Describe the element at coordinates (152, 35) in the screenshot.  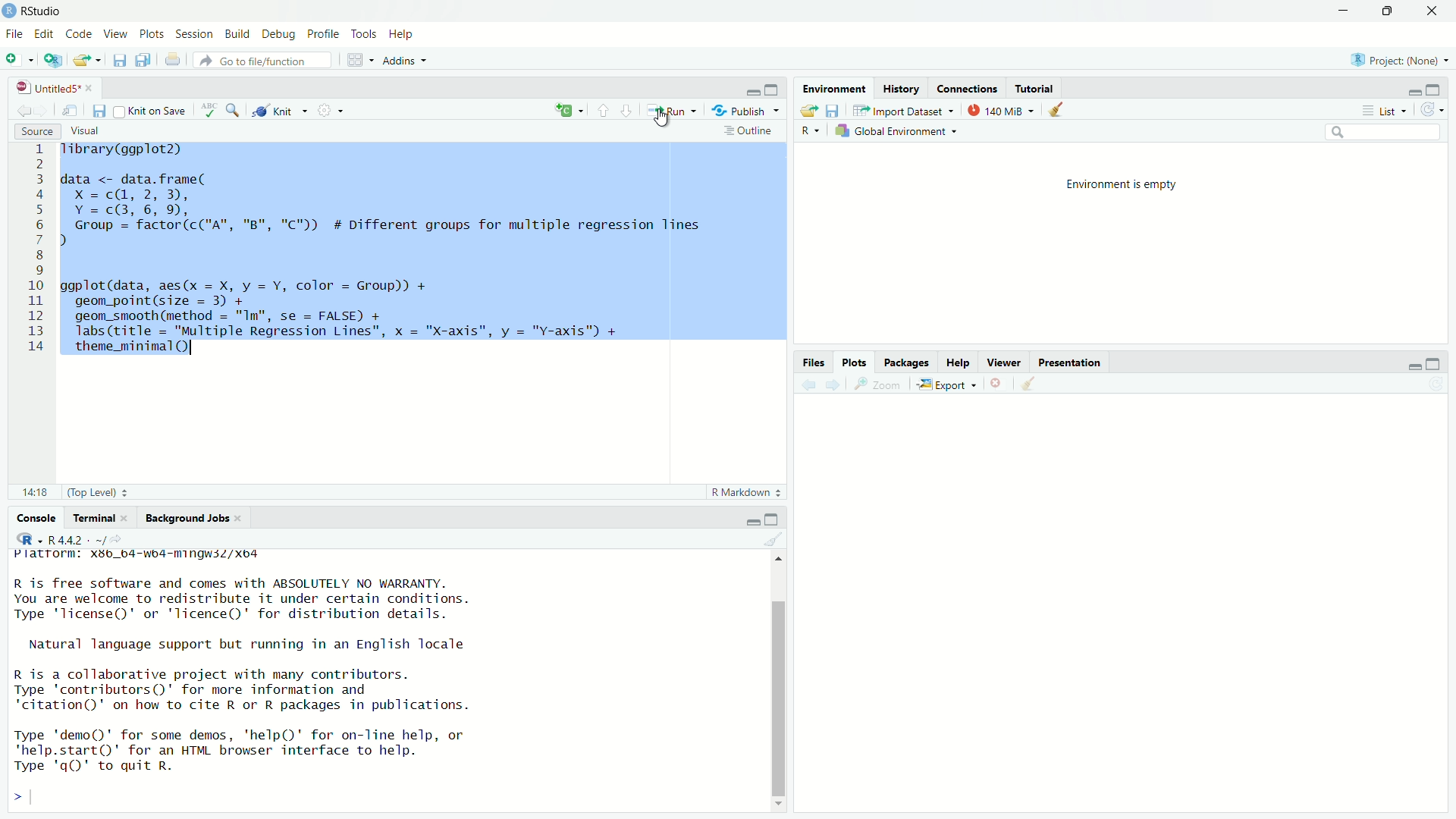
I see `Plots` at that location.